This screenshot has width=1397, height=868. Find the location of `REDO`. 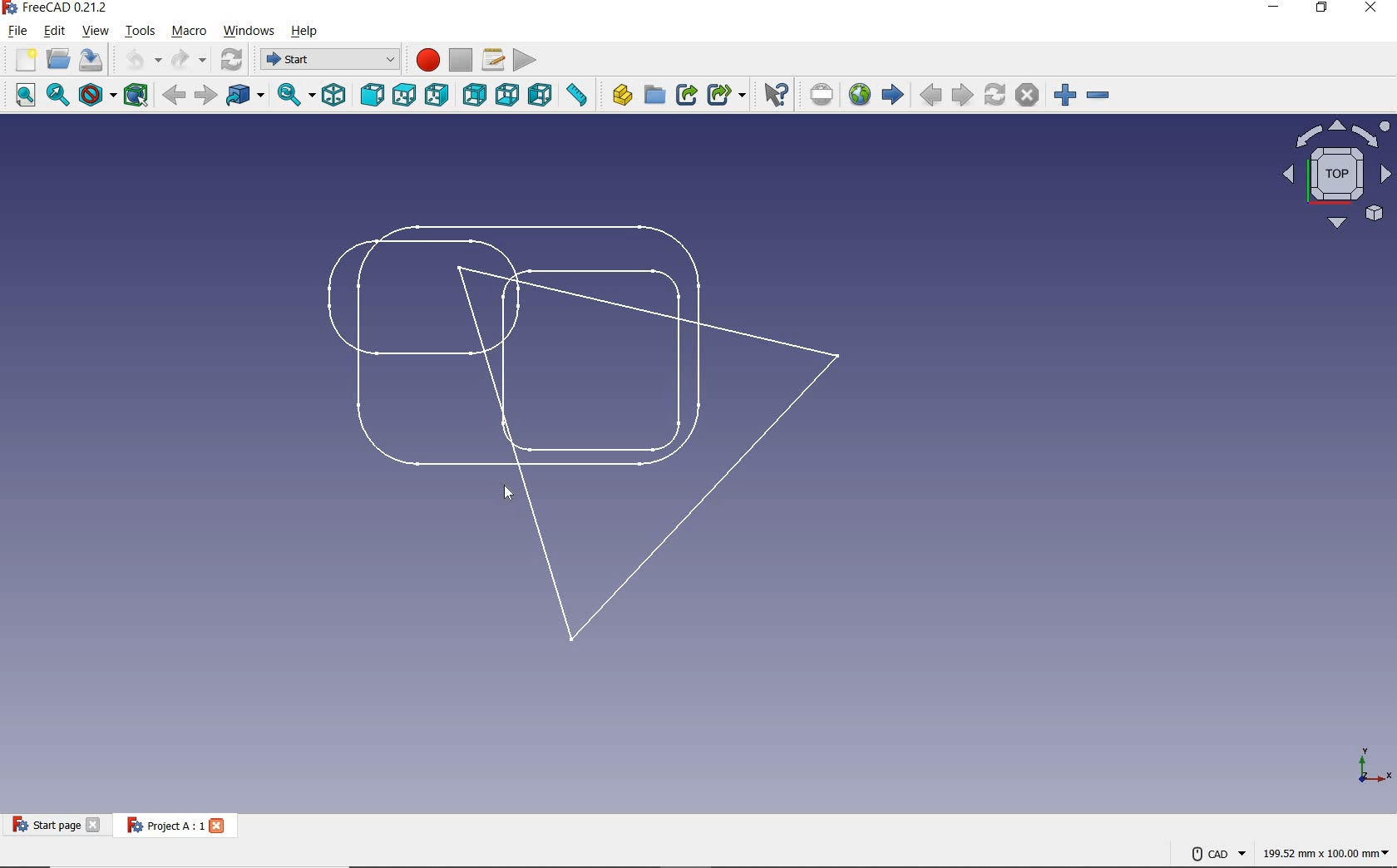

REDO is located at coordinates (190, 62).